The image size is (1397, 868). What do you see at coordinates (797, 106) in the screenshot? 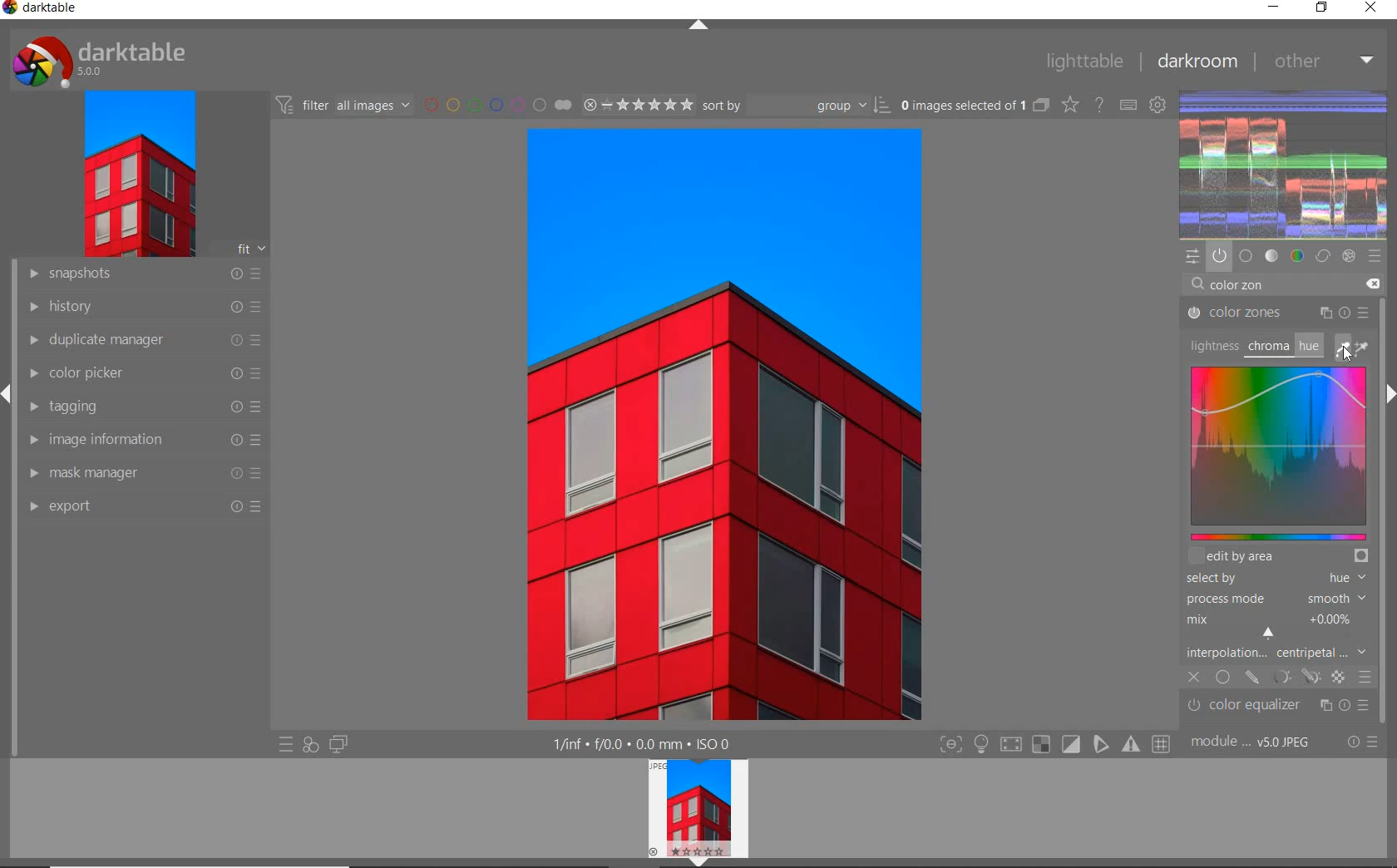
I see `Sort` at bounding box center [797, 106].